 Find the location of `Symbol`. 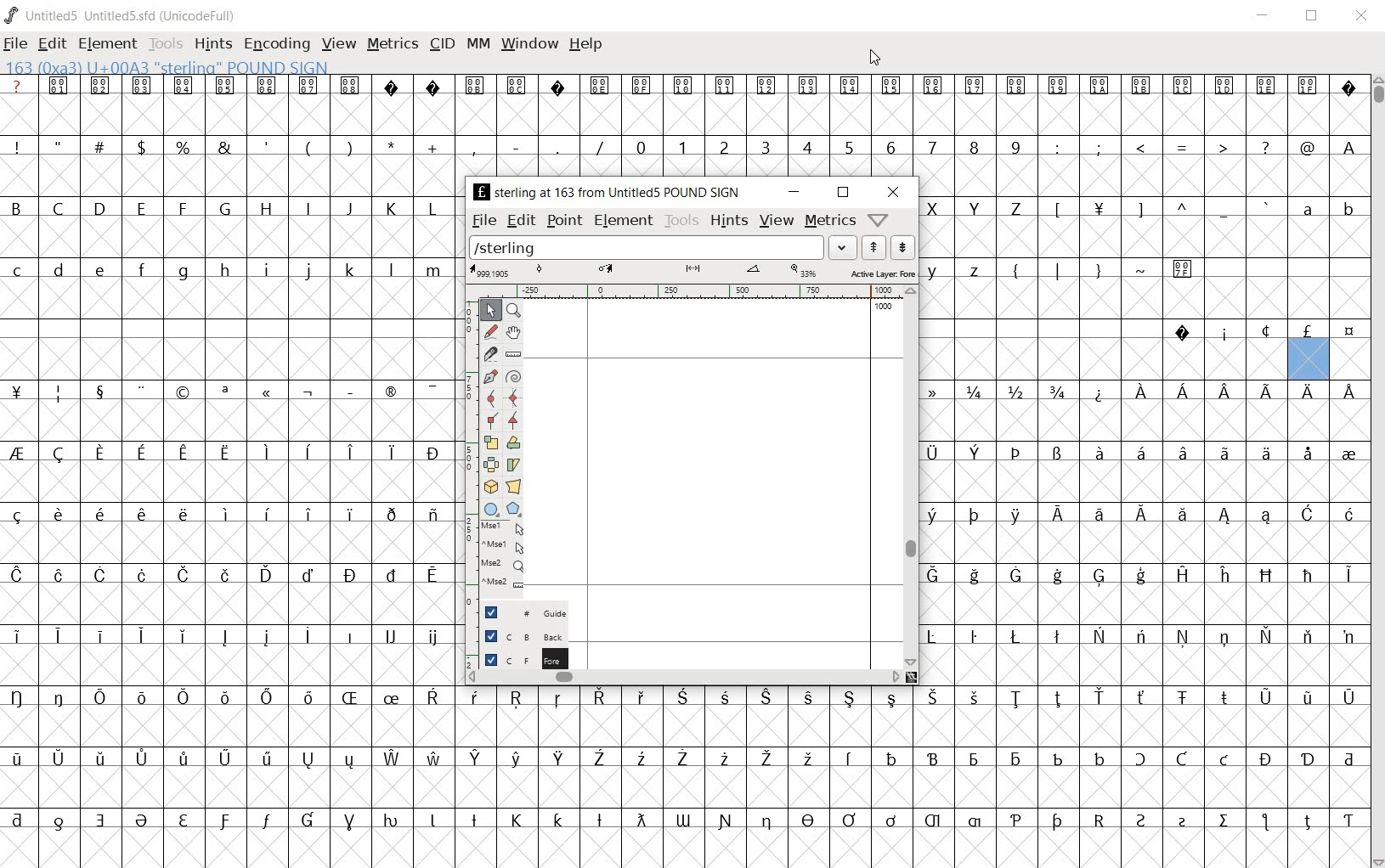

Symbol is located at coordinates (1264, 331).